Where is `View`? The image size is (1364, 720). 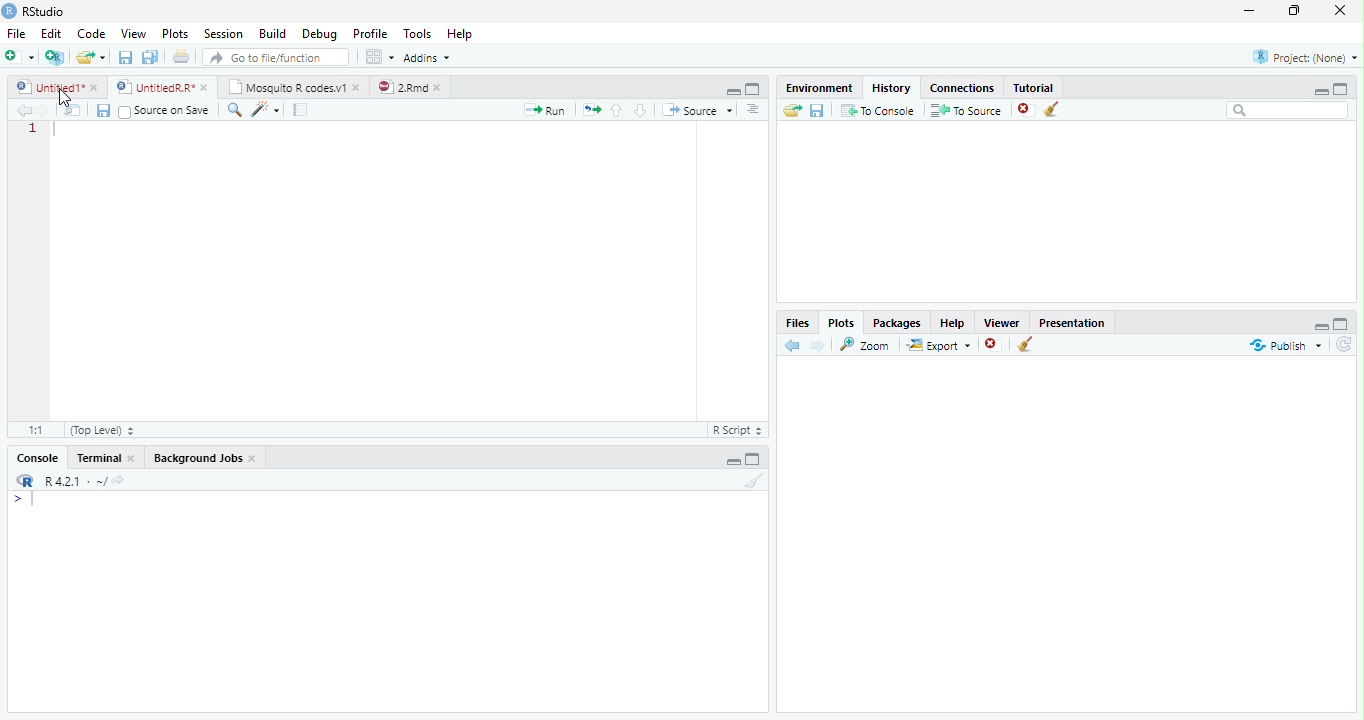 View is located at coordinates (132, 32).